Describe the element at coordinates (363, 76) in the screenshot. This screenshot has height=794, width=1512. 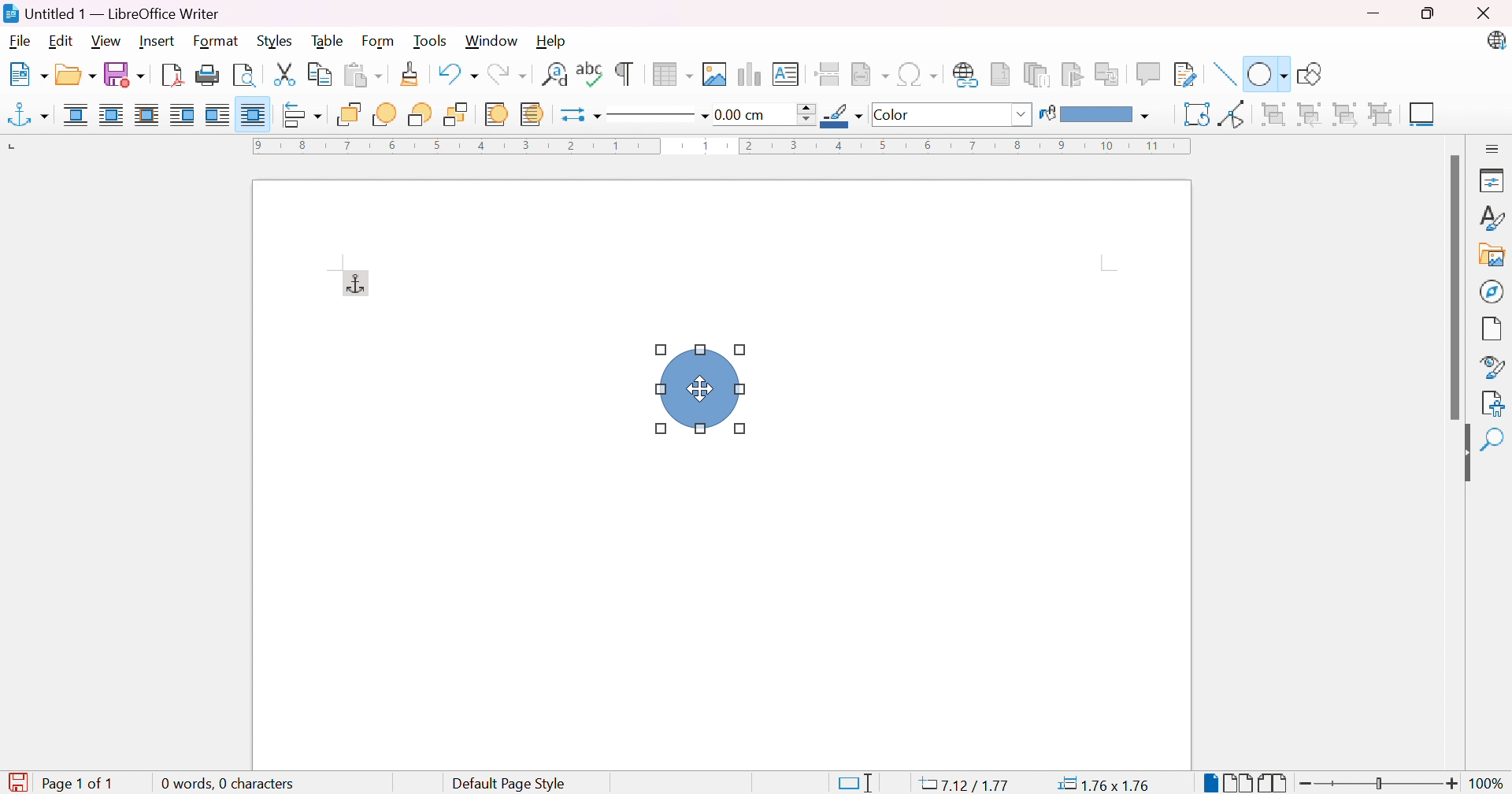
I see `Paste` at that location.